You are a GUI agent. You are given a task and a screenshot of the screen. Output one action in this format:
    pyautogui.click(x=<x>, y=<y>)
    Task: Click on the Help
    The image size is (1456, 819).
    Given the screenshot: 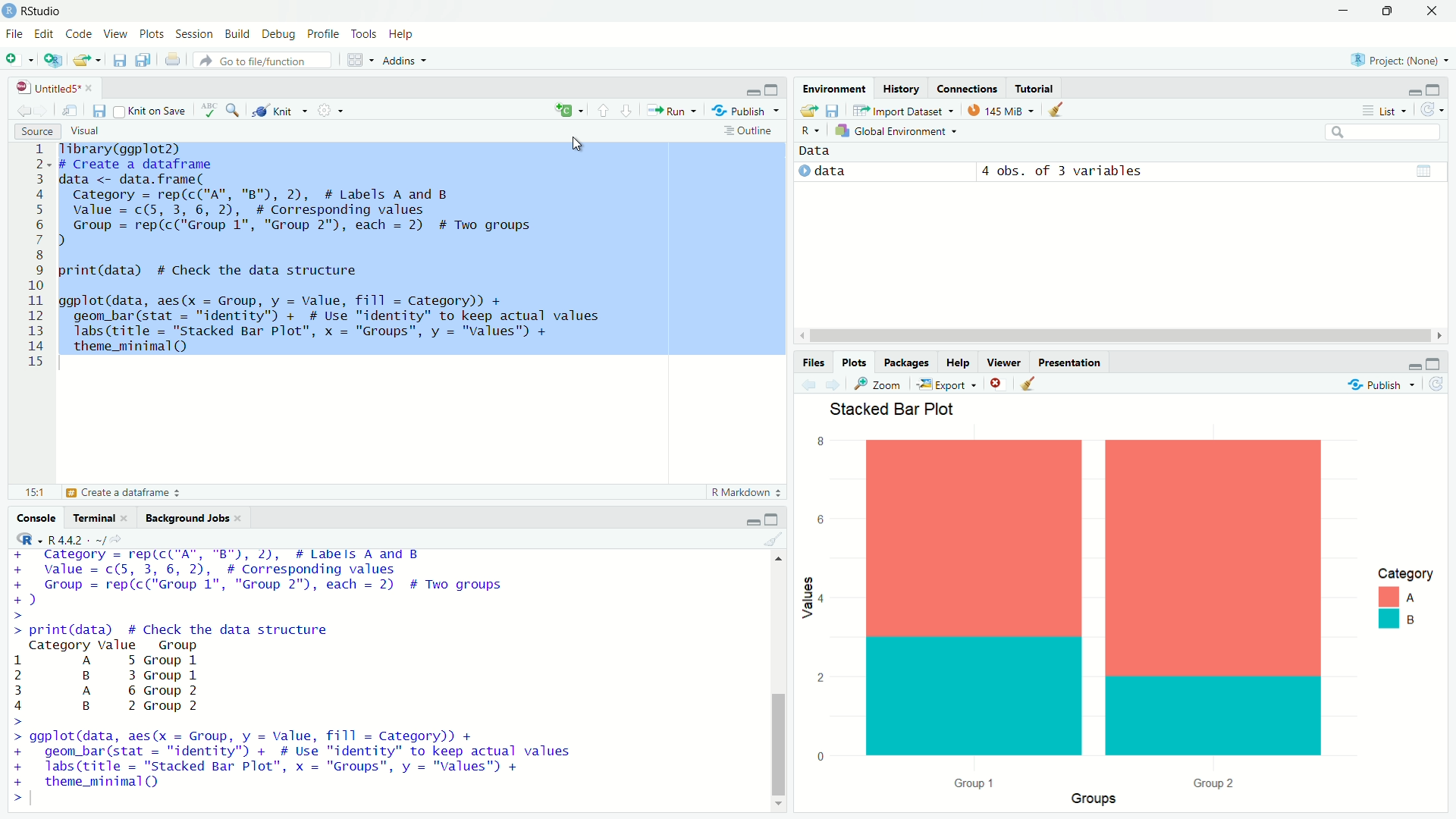 What is the action you would take?
    pyautogui.click(x=400, y=34)
    